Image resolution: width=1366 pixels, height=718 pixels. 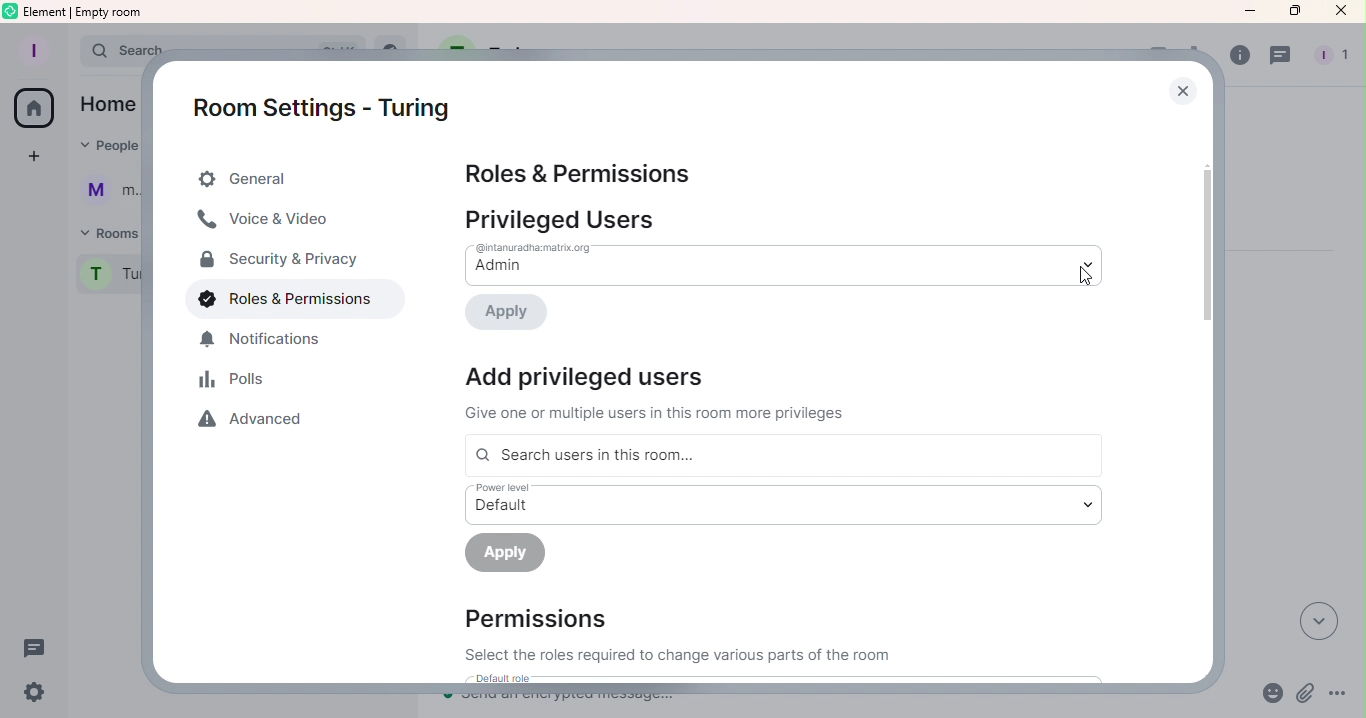 What do you see at coordinates (509, 313) in the screenshot?
I see `Apply` at bounding box center [509, 313].